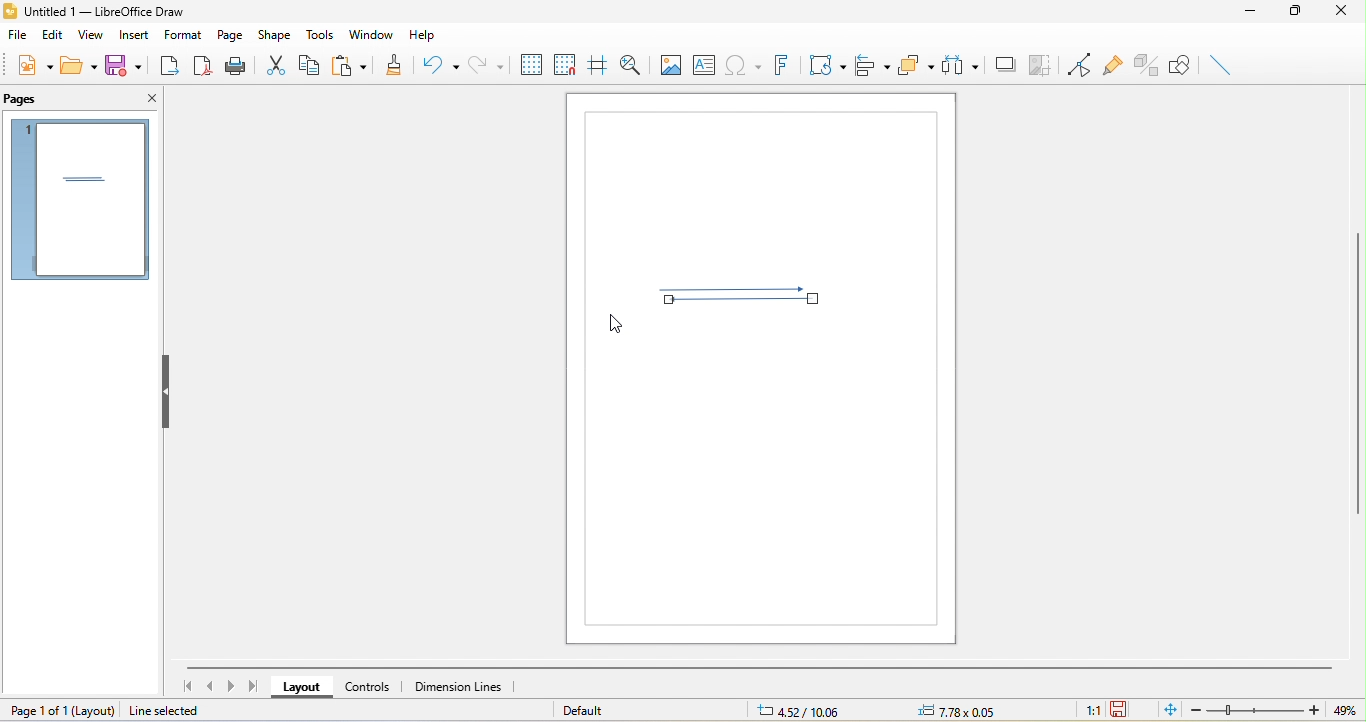 The height and width of the screenshot is (722, 1366). I want to click on zoom, so click(1269, 710).